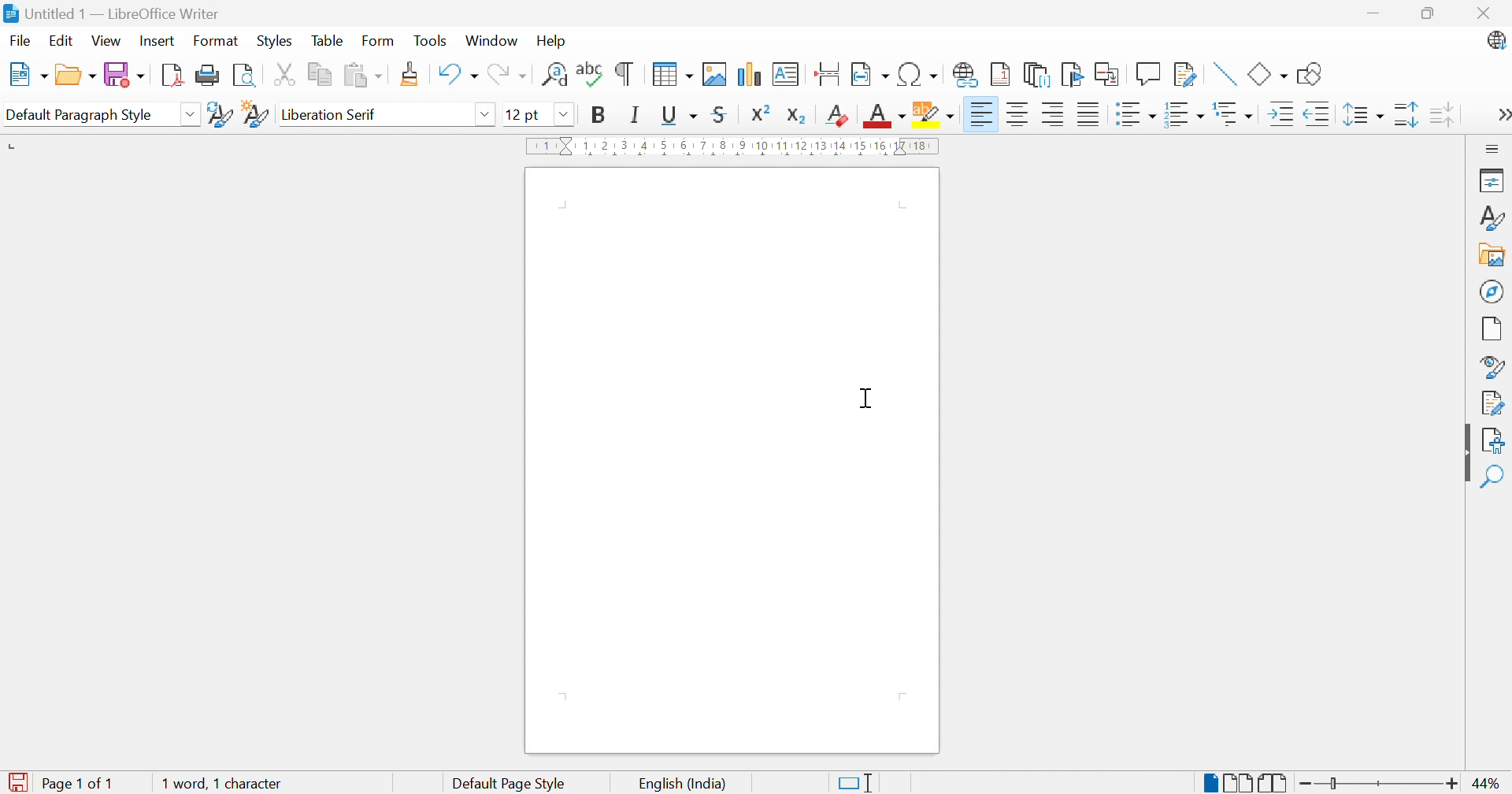  Describe the element at coordinates (632, 117) in the screenshot. I see `Italic` at that location.